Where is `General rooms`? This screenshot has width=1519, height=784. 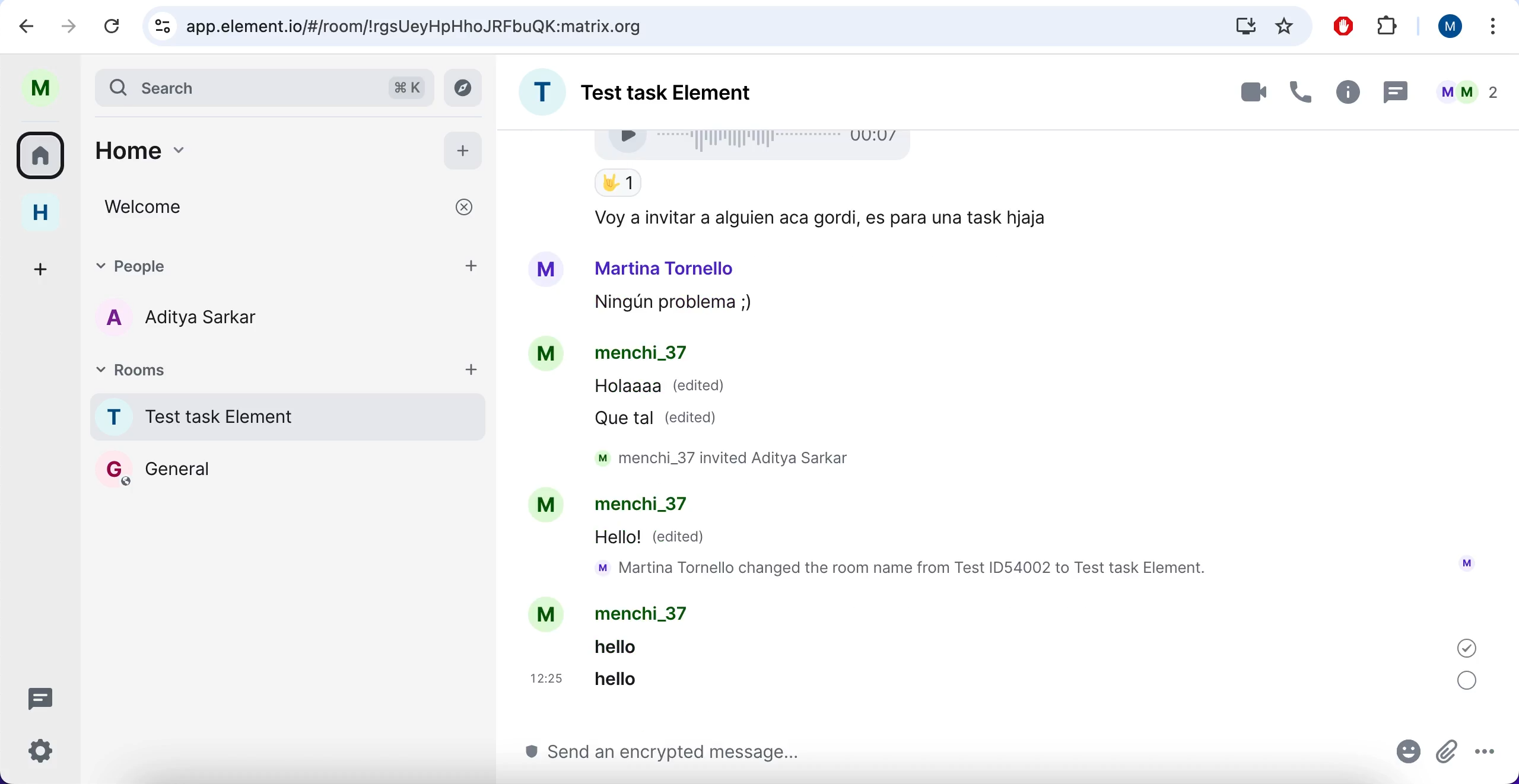 General rooms is located at coordinates (288, 469).